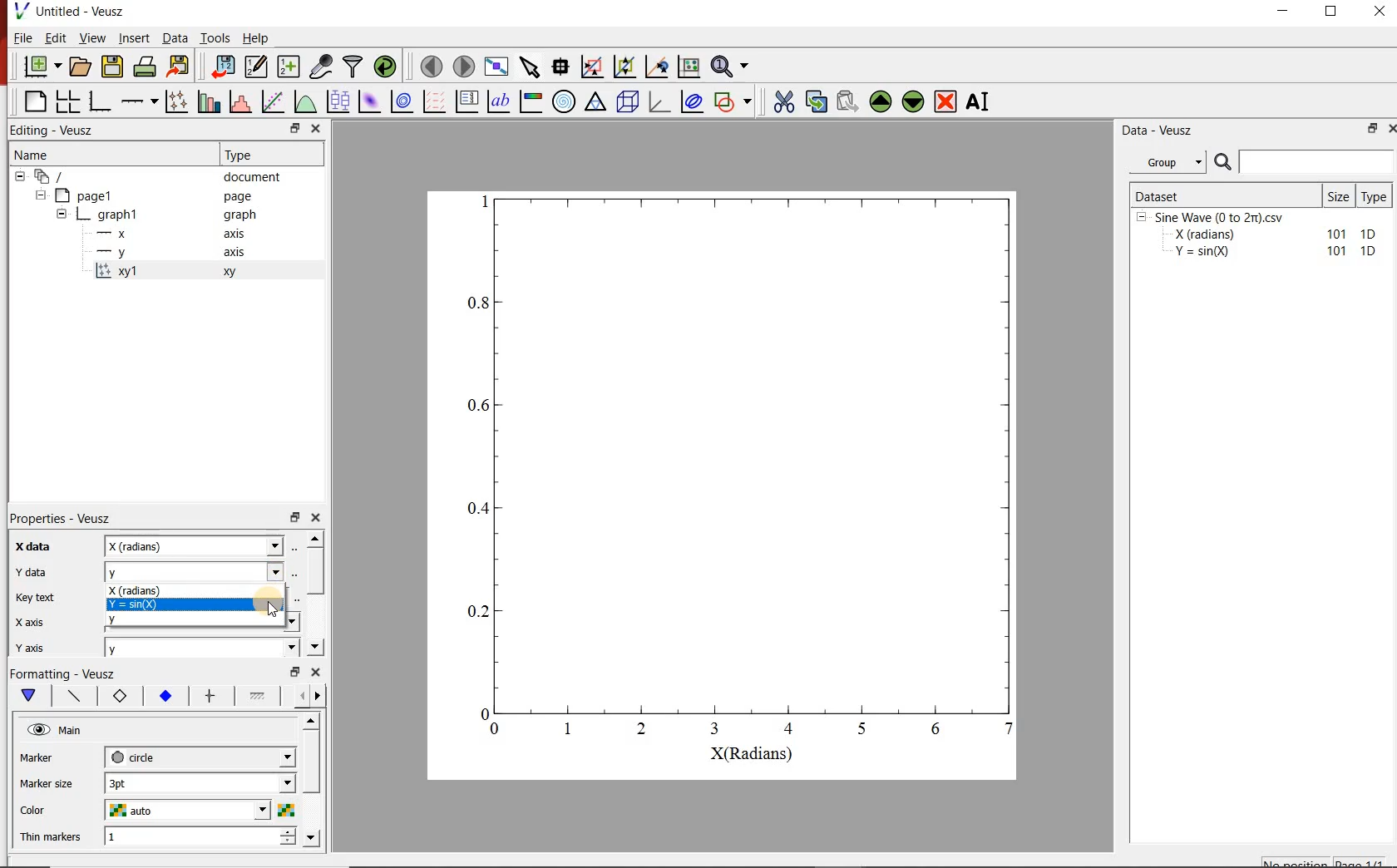 The width and height of the screenshot is (1397, 868). I want to click on Base graph, so click(101, 101).